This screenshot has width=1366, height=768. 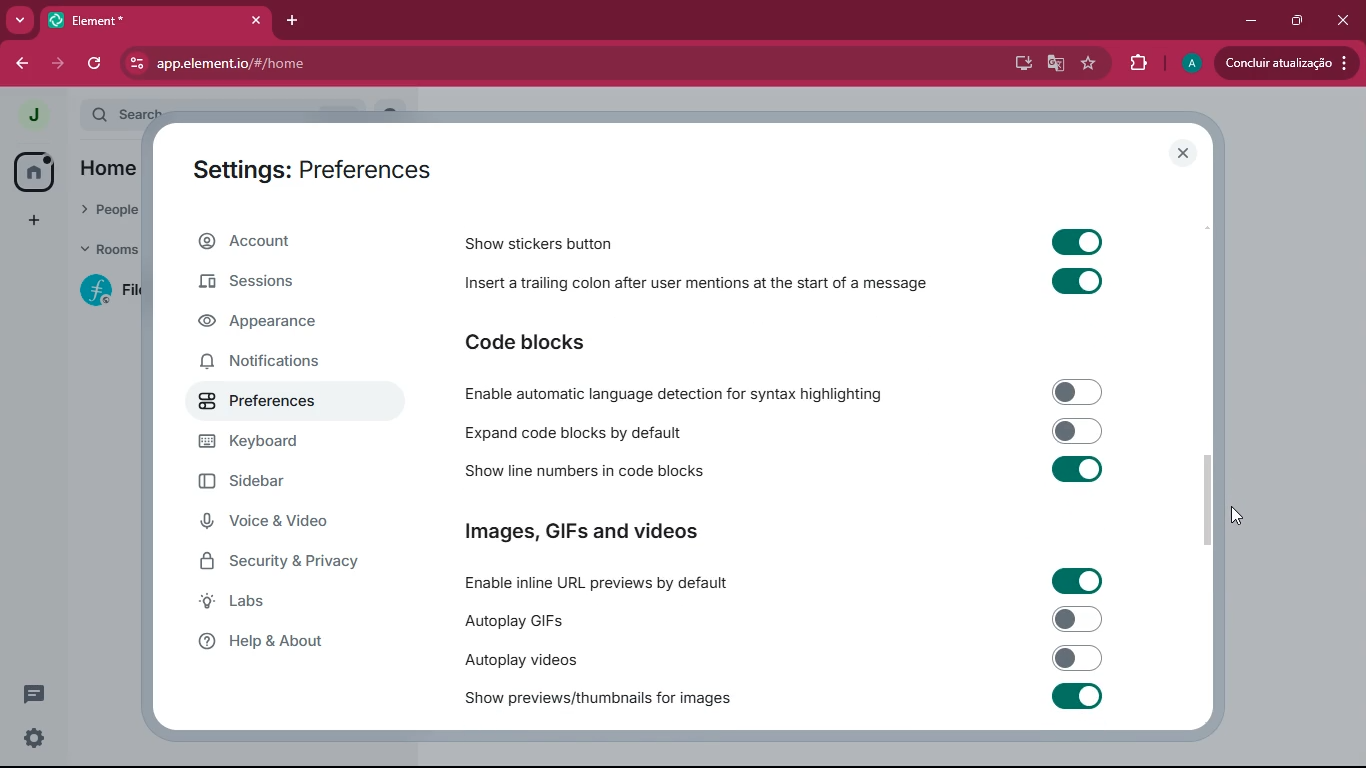 What do you see at coordinates (106, 290) in the screenshot?
I see `room` at bounding box center [106, 290].